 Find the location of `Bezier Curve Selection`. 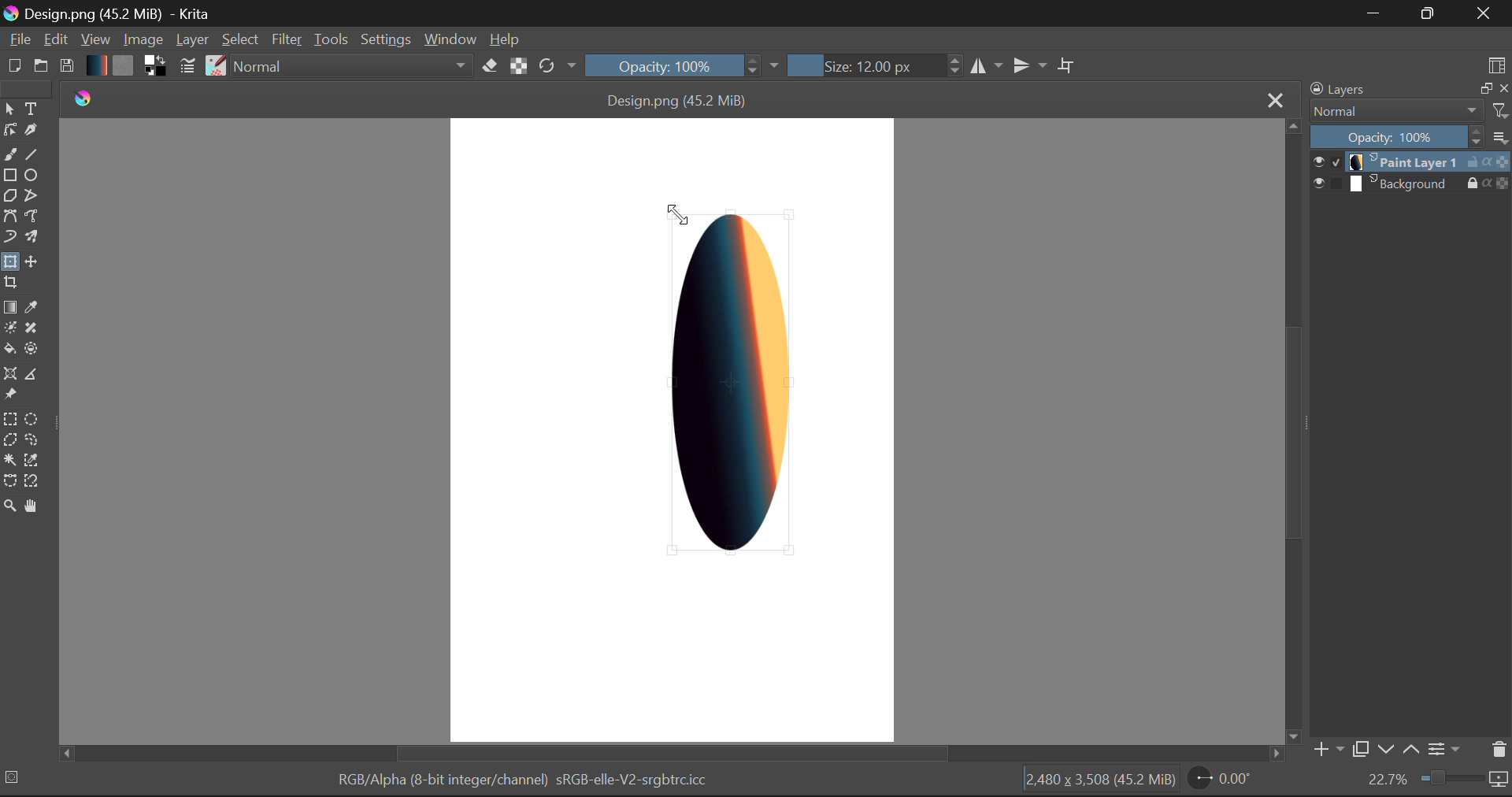

Bezier Curve Selection is located at coordinates (9, 483).